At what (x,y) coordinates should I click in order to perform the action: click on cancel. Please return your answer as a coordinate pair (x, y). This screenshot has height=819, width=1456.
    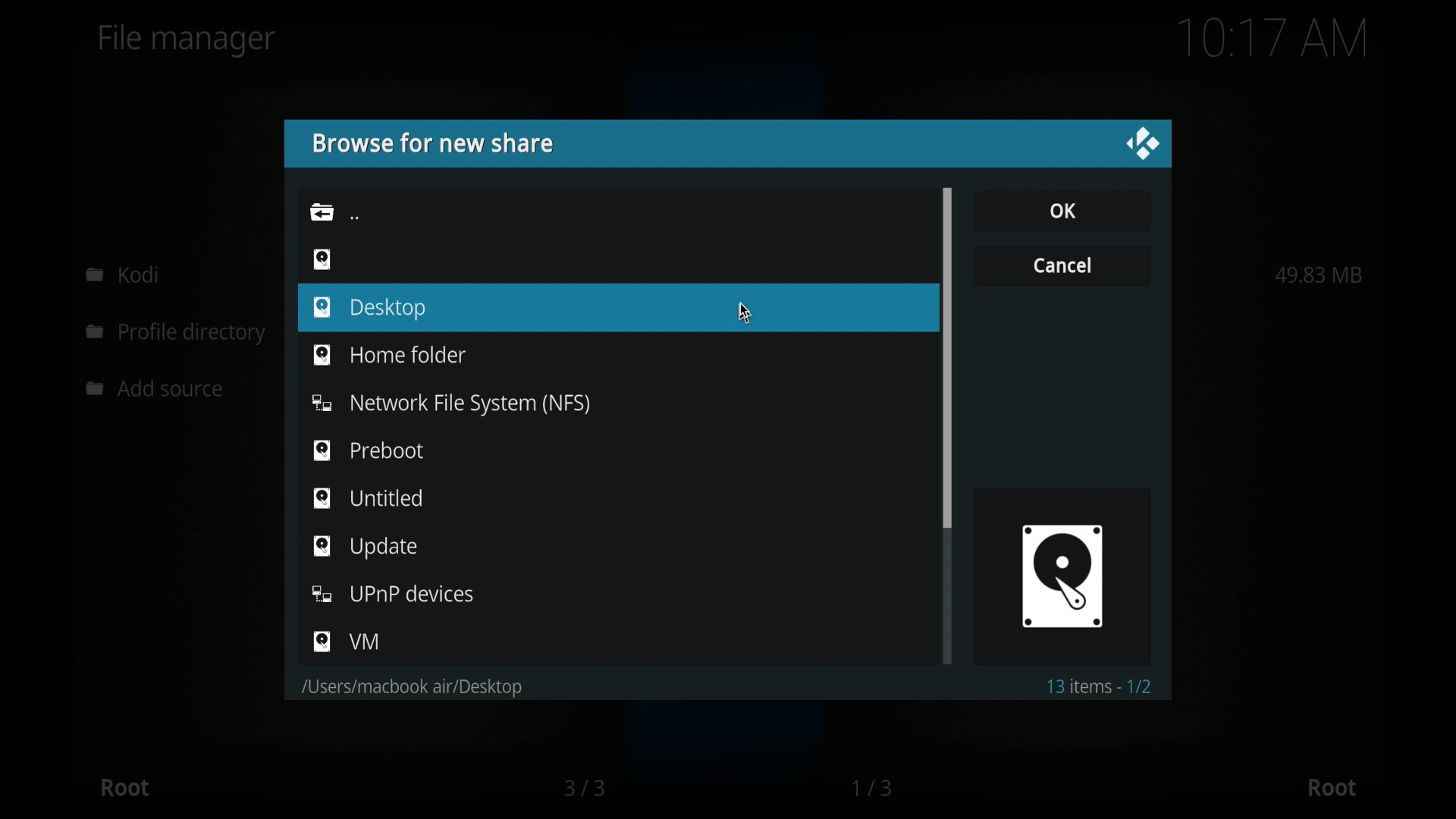
    Looking at the image, I should click on (1062, 264).